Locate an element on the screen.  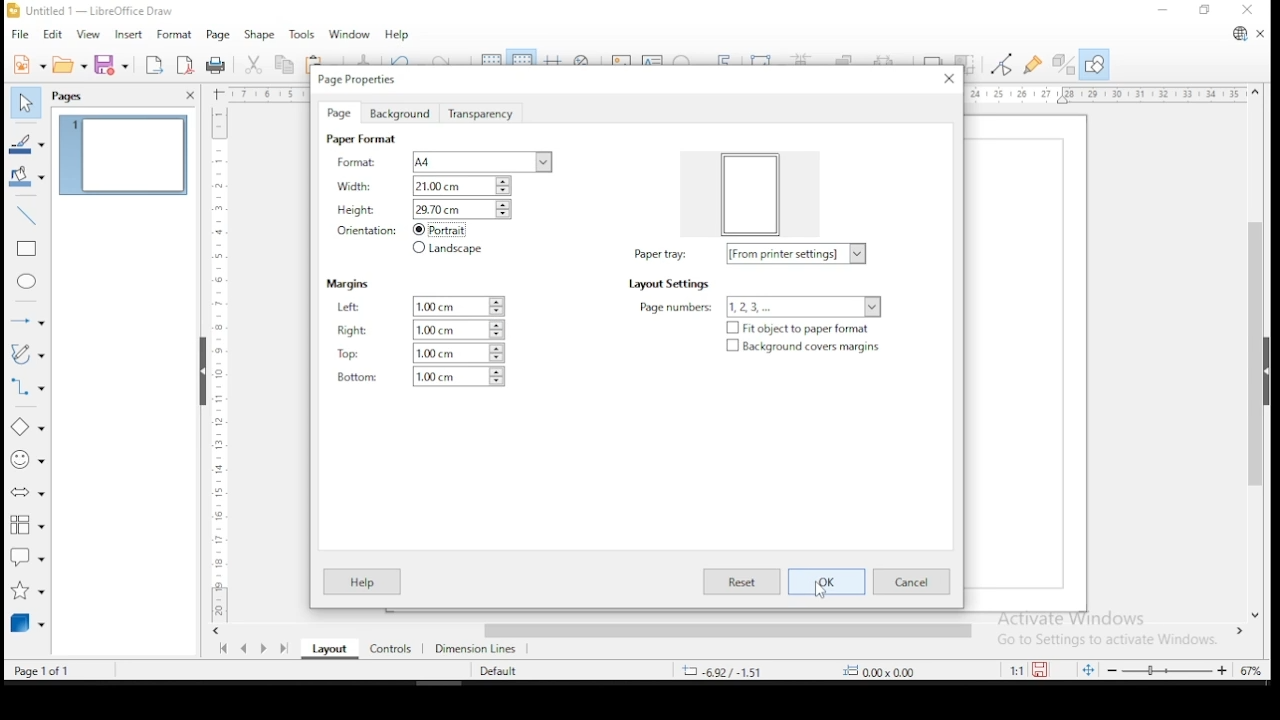
save is located at coordinates (114, 65).